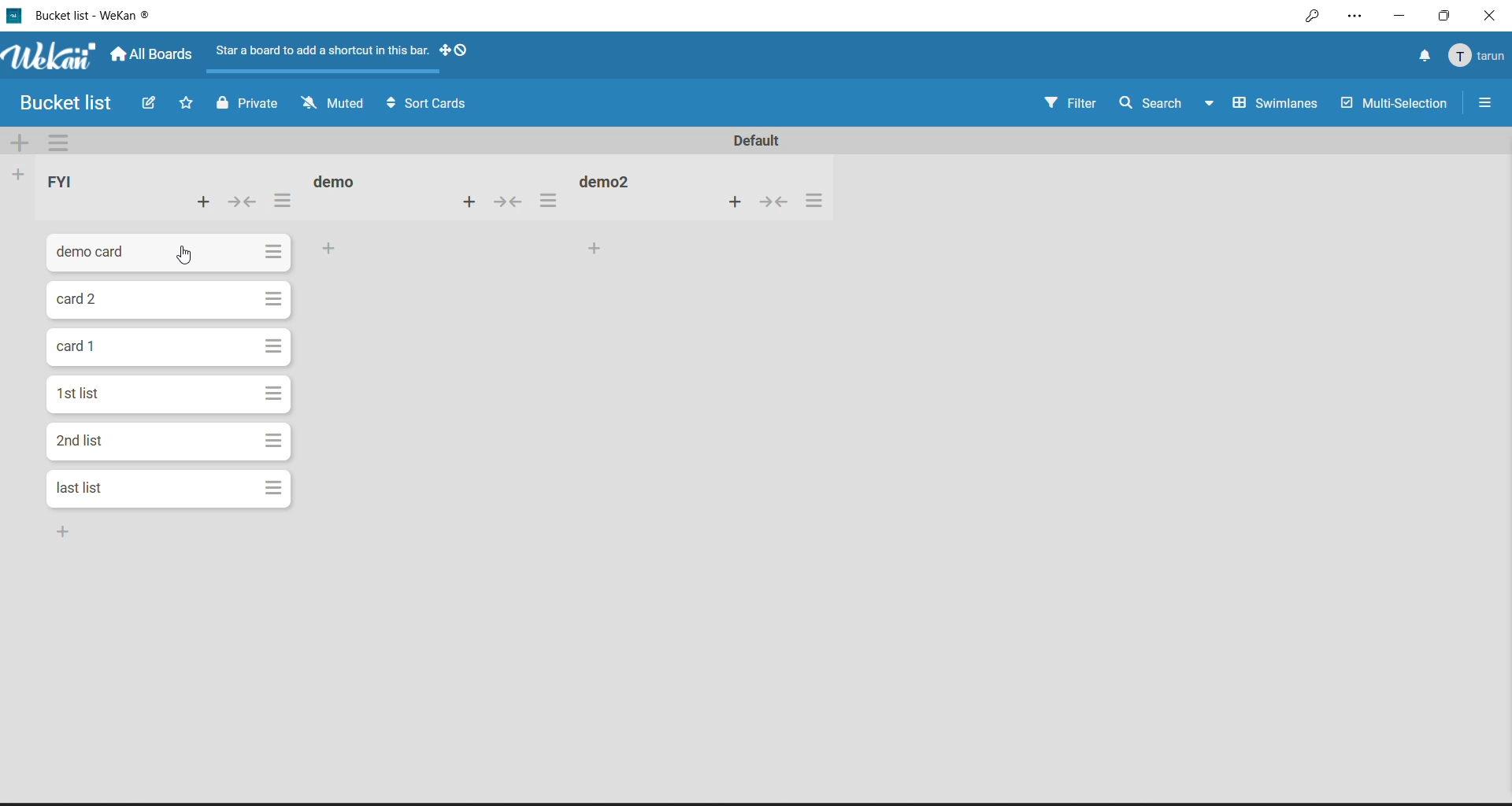  What do you see at coordinates (1492, 14) in the screenshot?
I see `close` at bounding box center [1492, 14].